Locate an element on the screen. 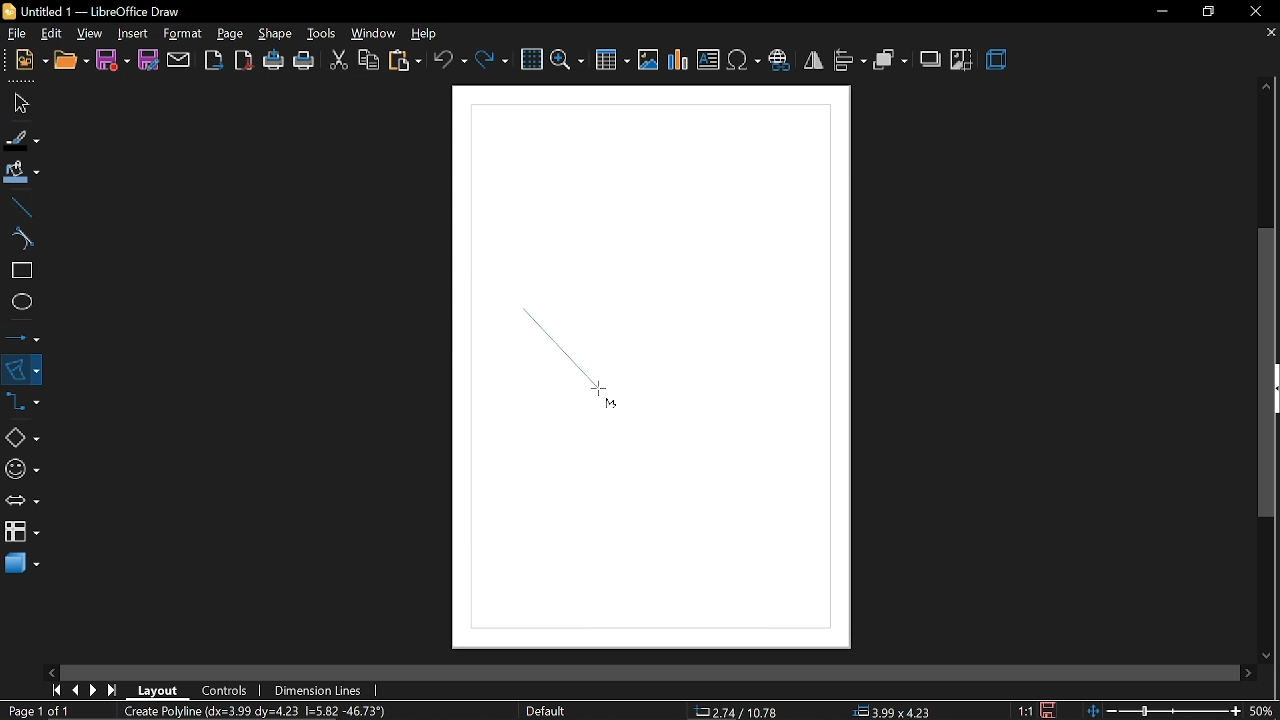 The image size is (1280, 720). Create Polviine (dx=3.99 dv=4.23 |=582 -46.73%) is located at coordinates (275, 710).